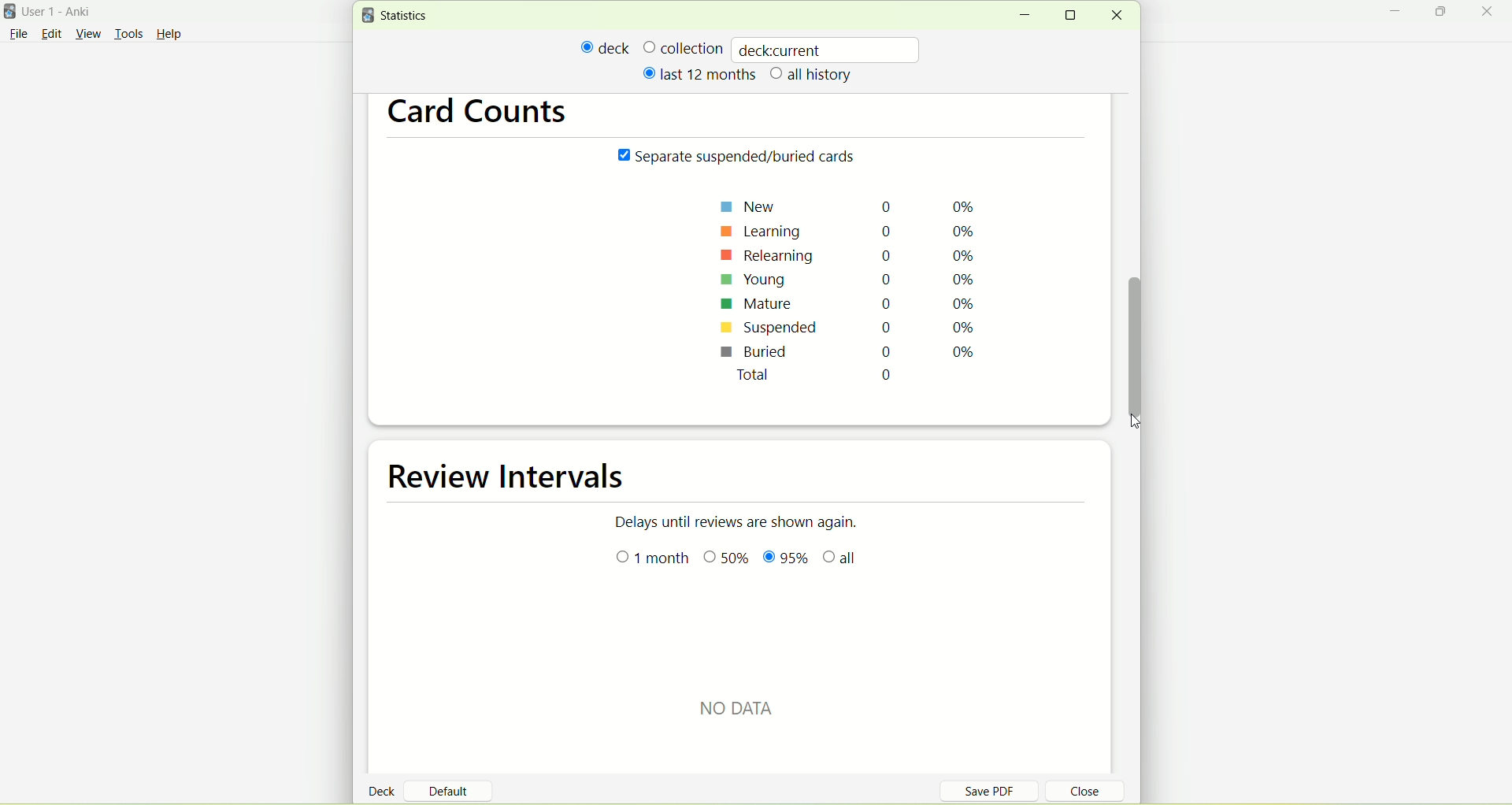 Image resolution: width=1512 pixels, height=805 pixels. What do you see at coordinates (850, 306) in the screenshot?
I see `mature 0 0%` at bounding box center [850, 306].